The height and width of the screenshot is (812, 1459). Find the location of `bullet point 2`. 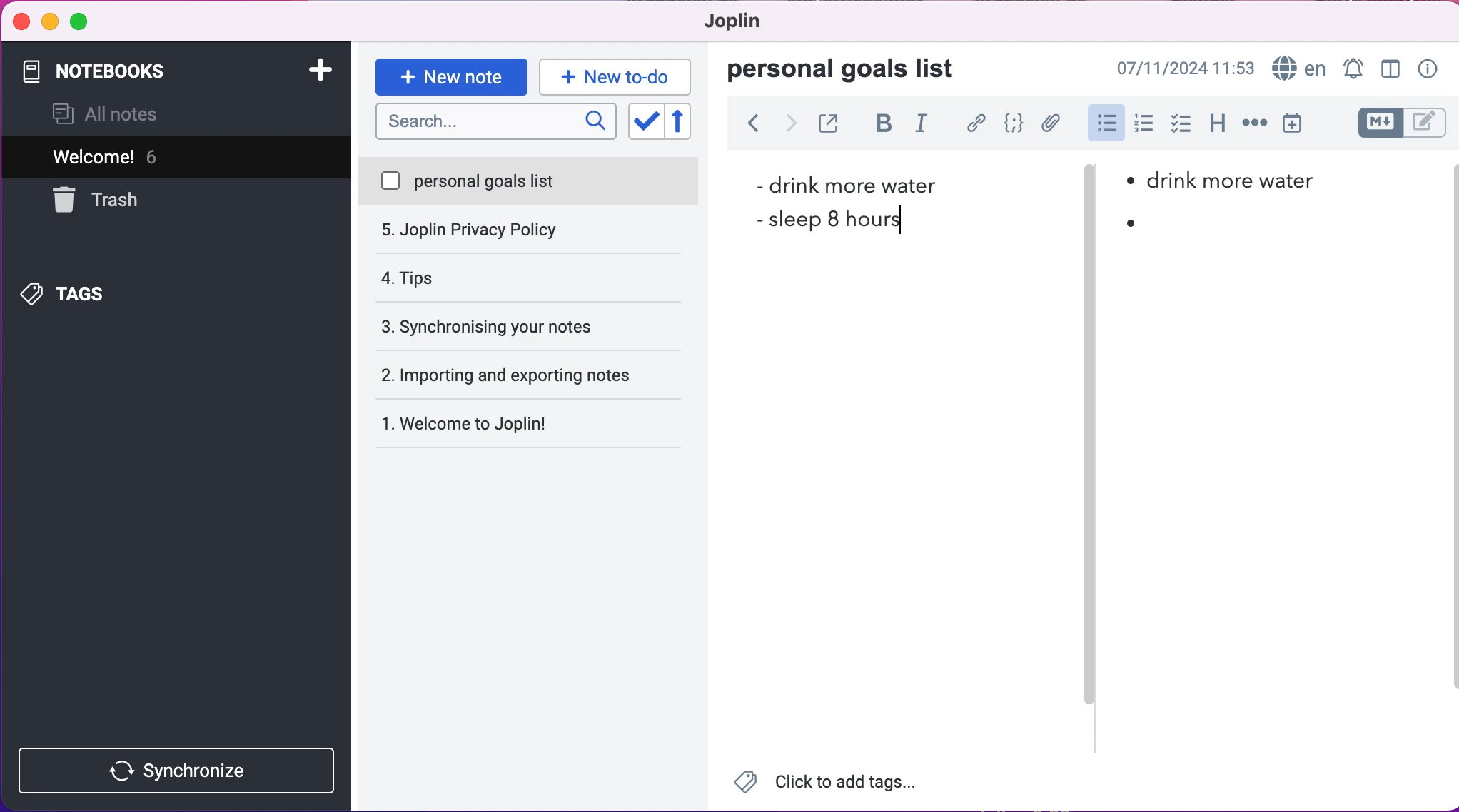

bullet point 2 is located at coordinates (1130, 223).